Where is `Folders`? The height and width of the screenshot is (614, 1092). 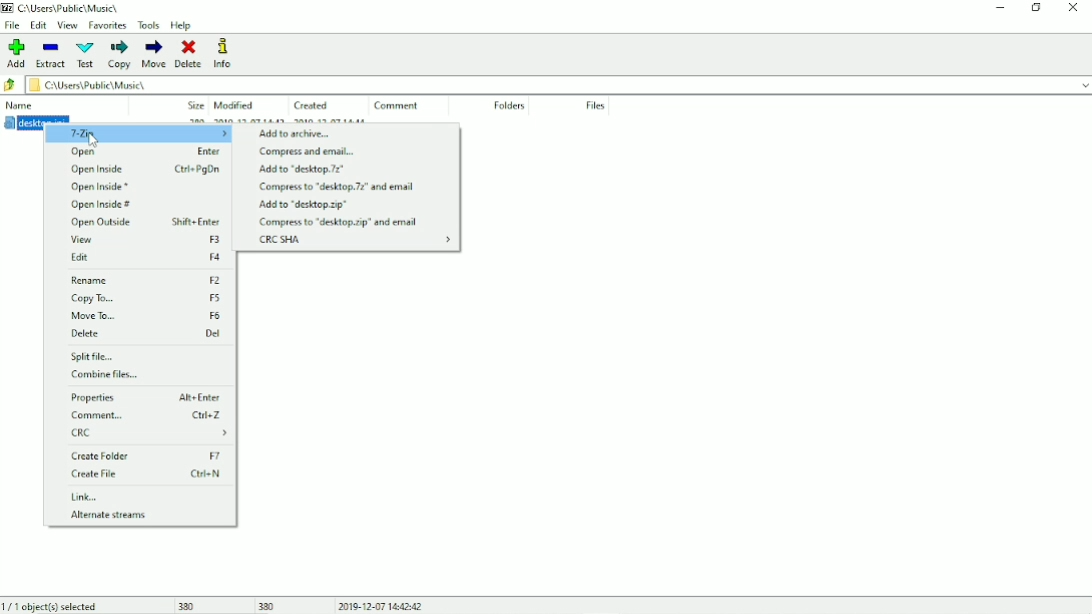 Folders is located at coordinates (509, 106).